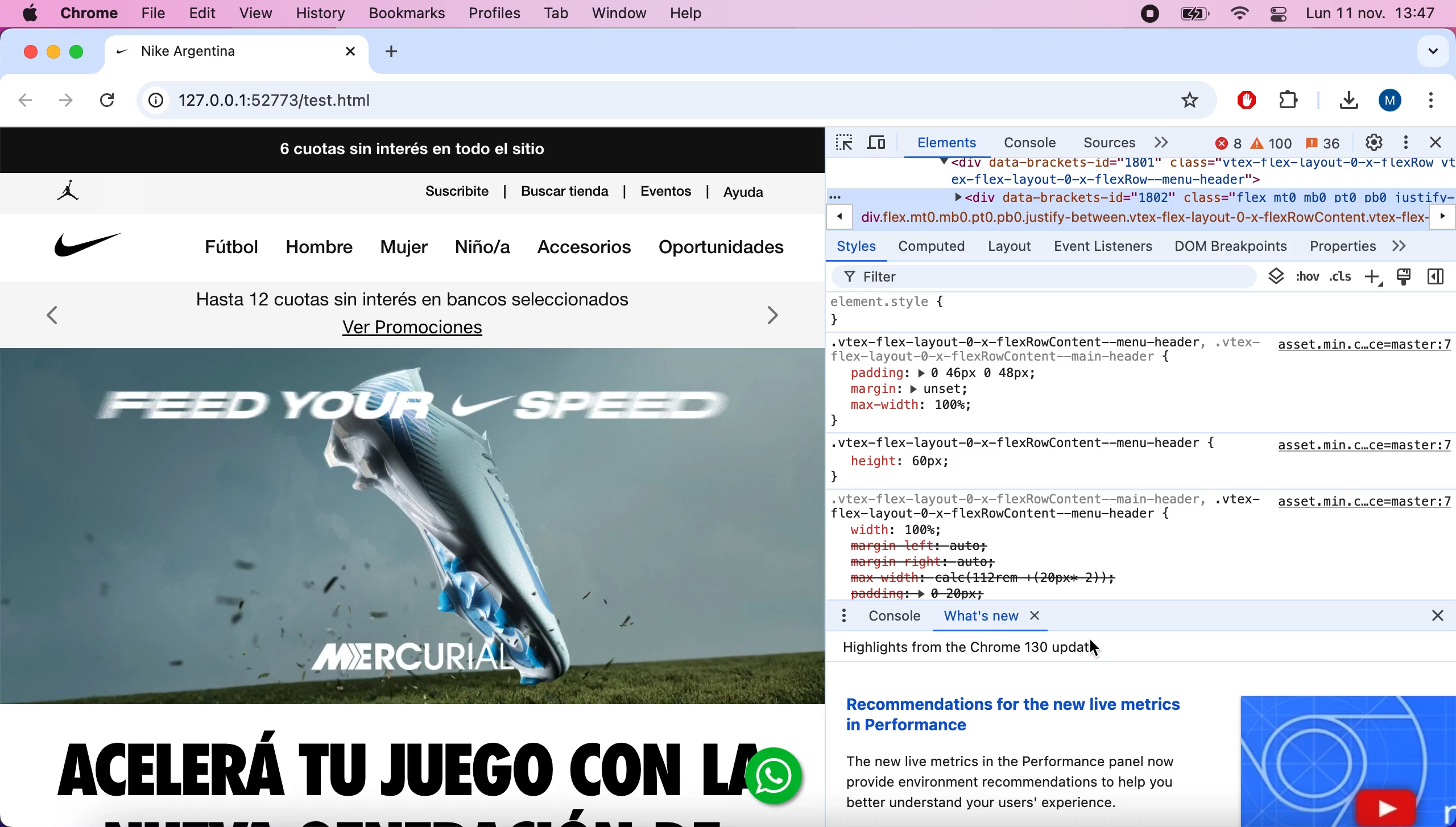 The width and height of the screenshot is (1456, 827). I want to click on elements, so click(945, 144).